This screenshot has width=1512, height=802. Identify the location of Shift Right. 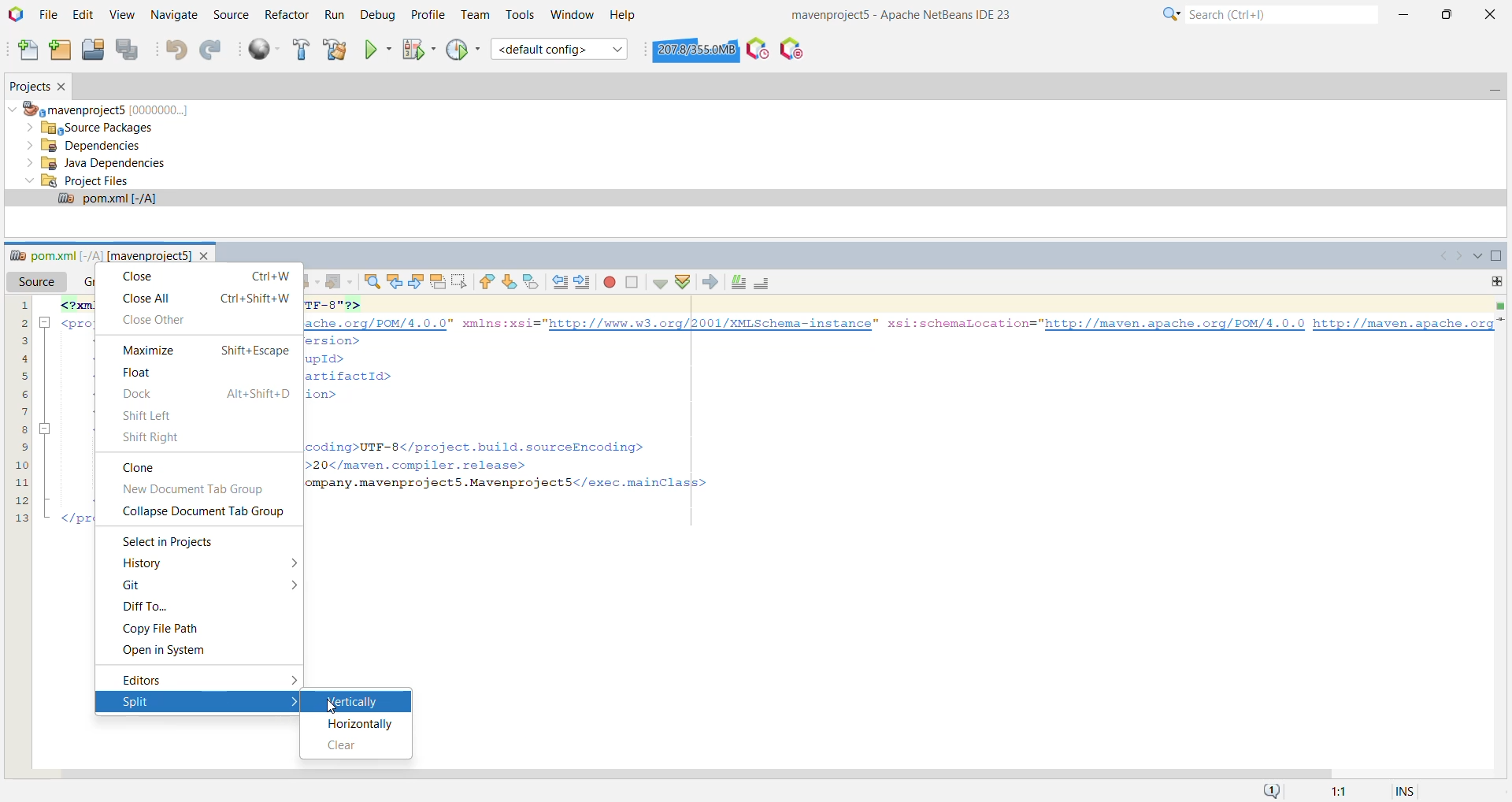
(154, 437).